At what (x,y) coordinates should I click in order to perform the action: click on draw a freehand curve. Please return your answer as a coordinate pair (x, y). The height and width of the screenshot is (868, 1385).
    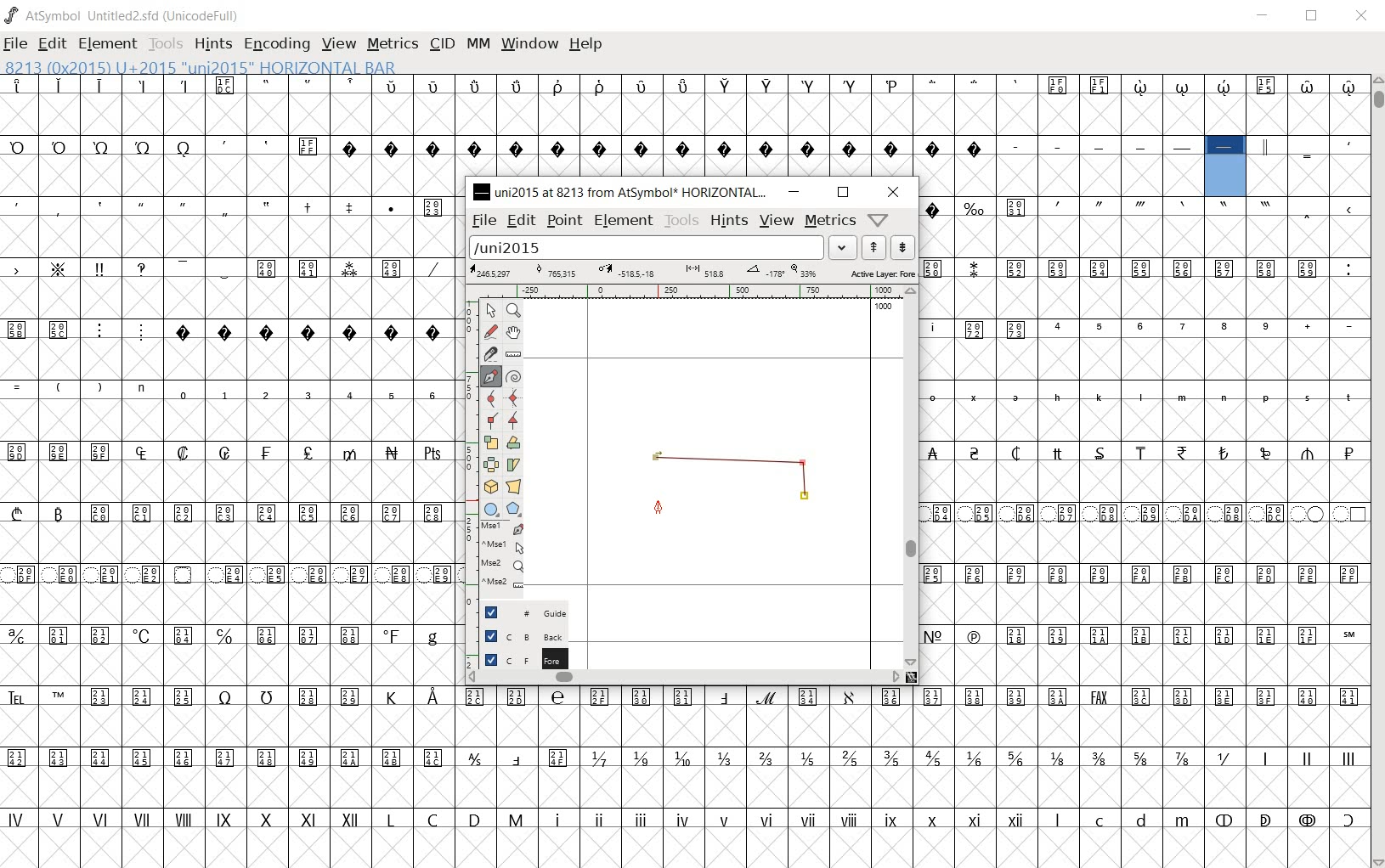
    Looking at the image, I should click on (490, 331).